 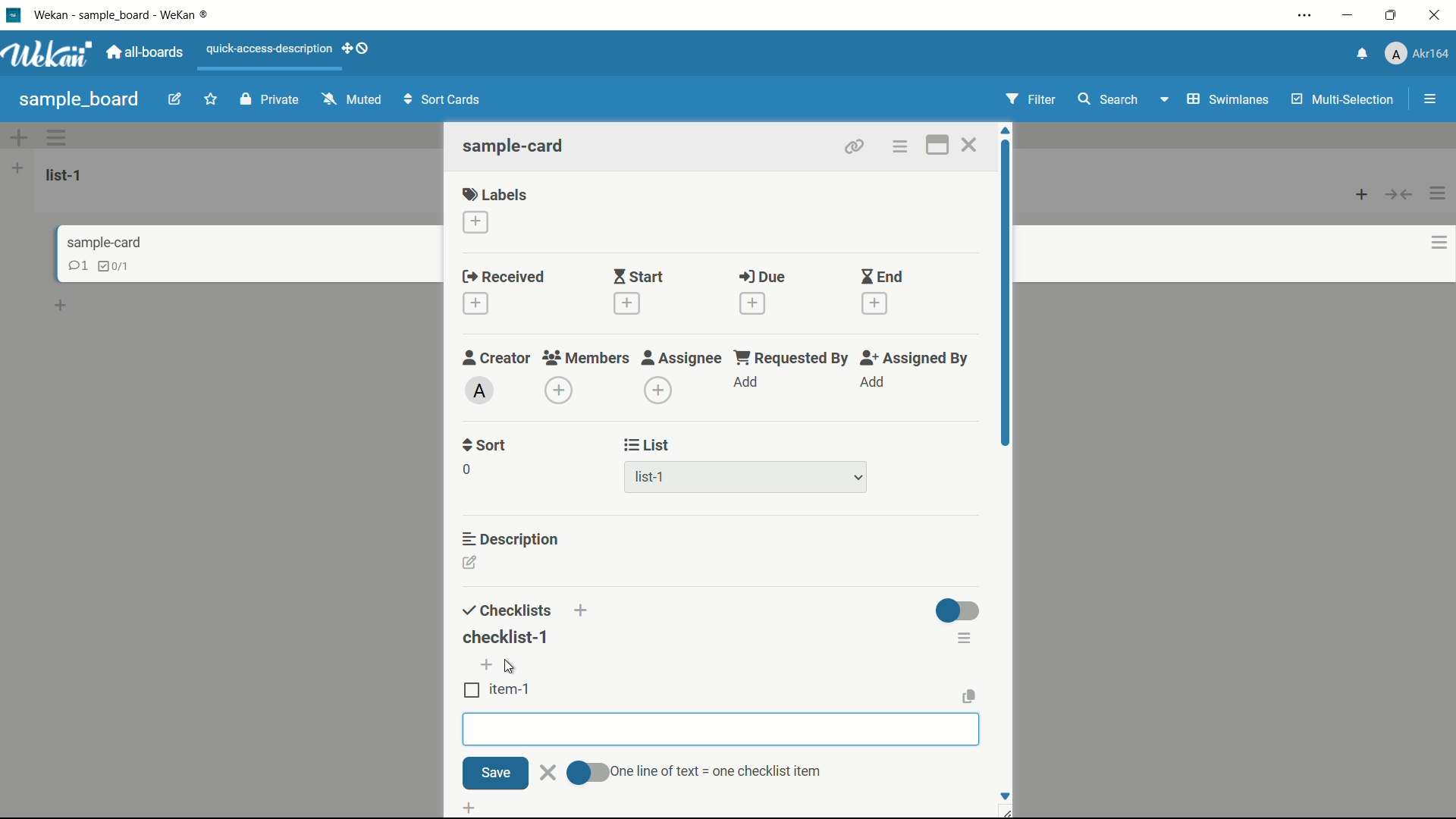 What do you see at coordinates (965, 638) in the screenshot?
I see `checklist actions` at bounding box center [965, 638].